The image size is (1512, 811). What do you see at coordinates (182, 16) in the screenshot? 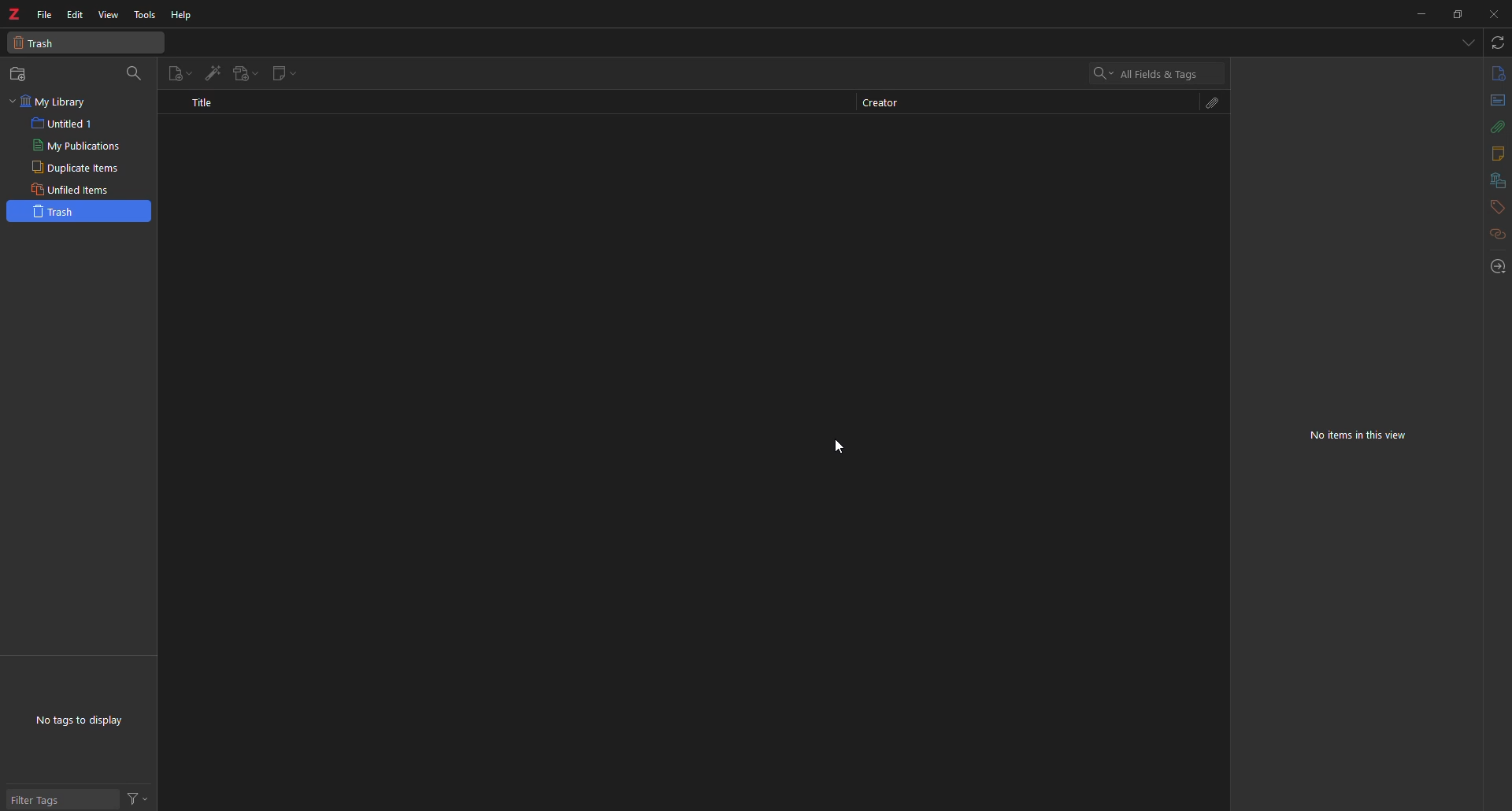
I see `help` at bounding box center [182, 16].